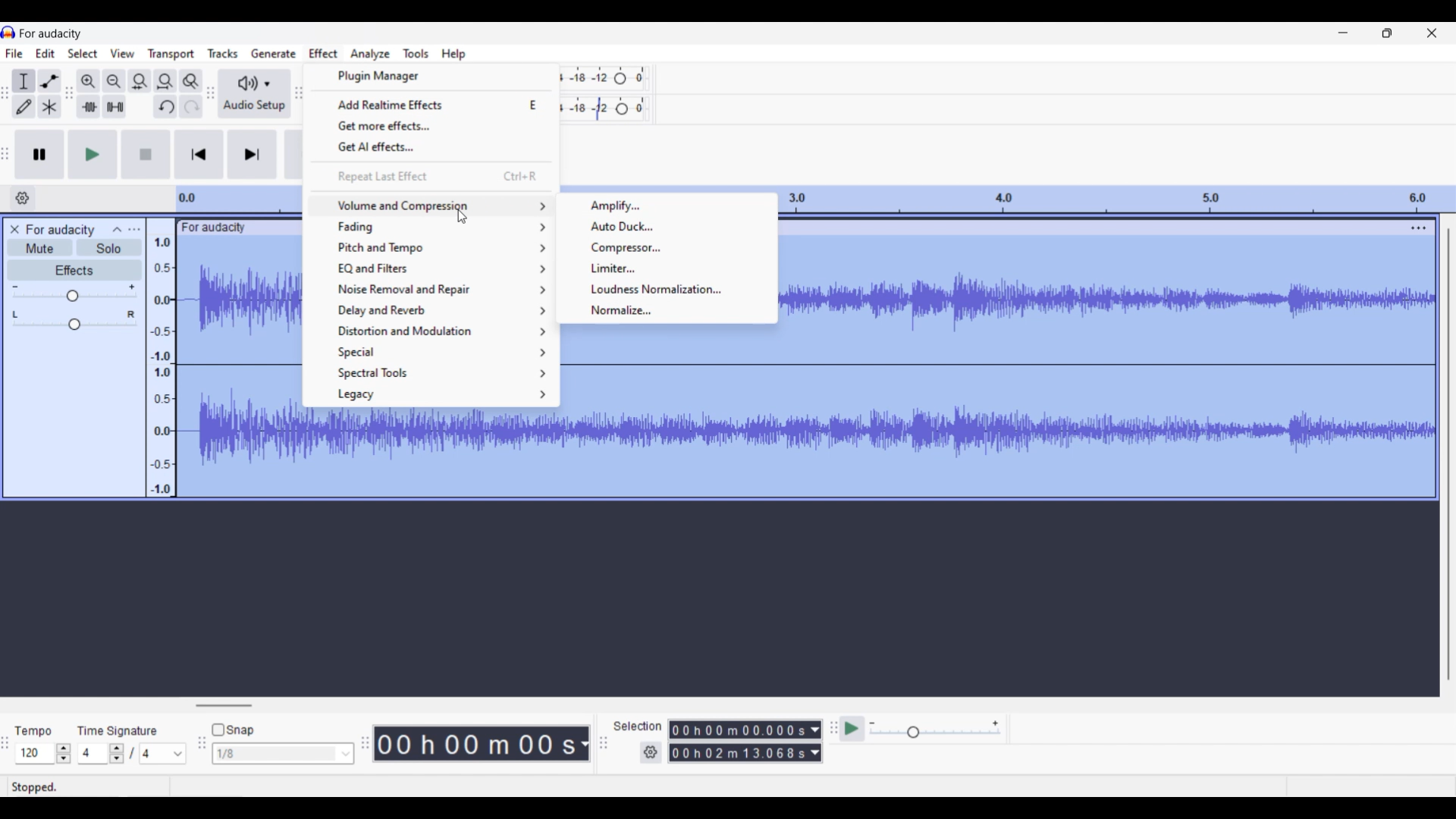 The image size is (1456, 819). What do you see at coordinates (161, 366) in the screenshot?
I see `Scale to measure sound intensity` at bounding box center [161, 366].